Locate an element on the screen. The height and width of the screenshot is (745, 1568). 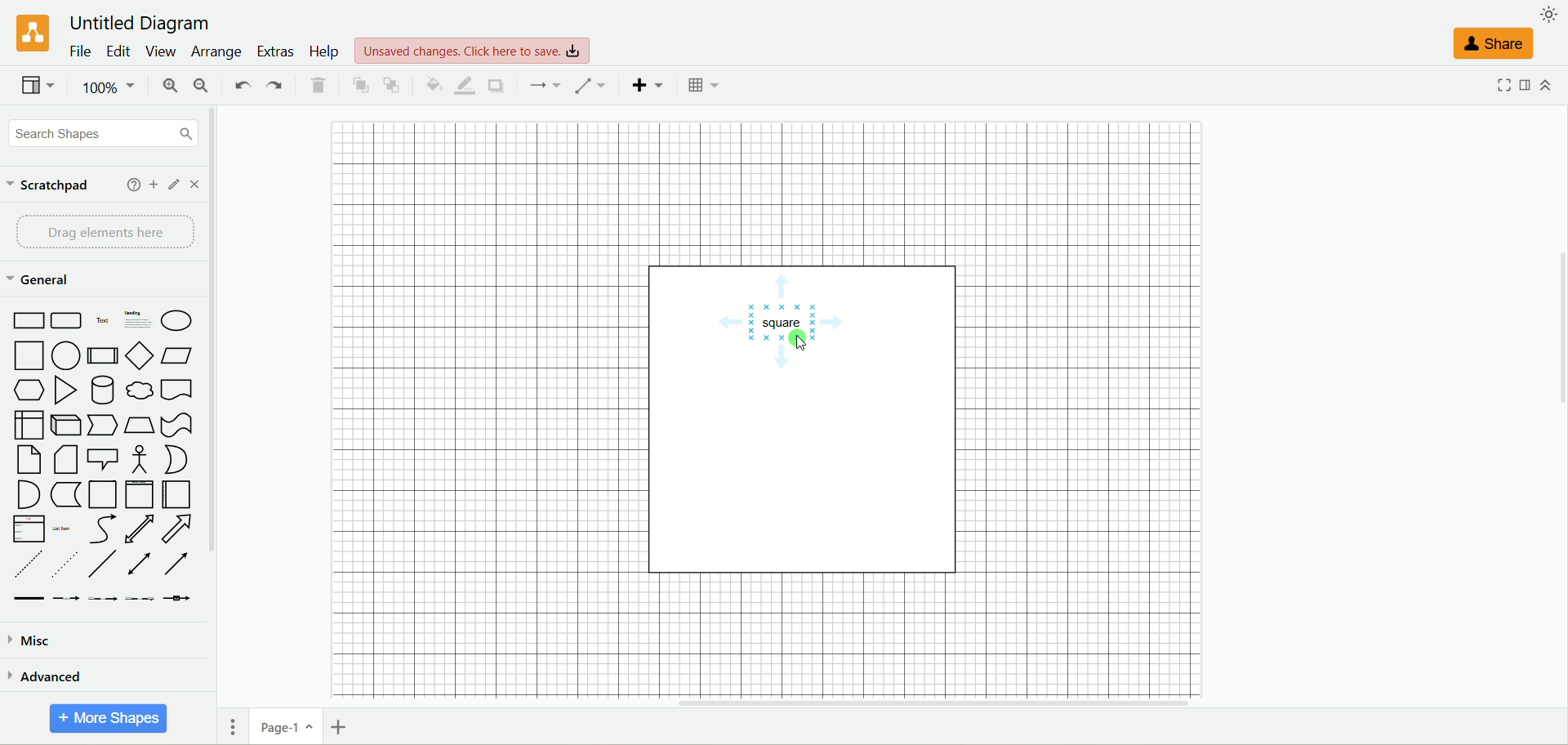
line color is located at coordinates (464, 85).